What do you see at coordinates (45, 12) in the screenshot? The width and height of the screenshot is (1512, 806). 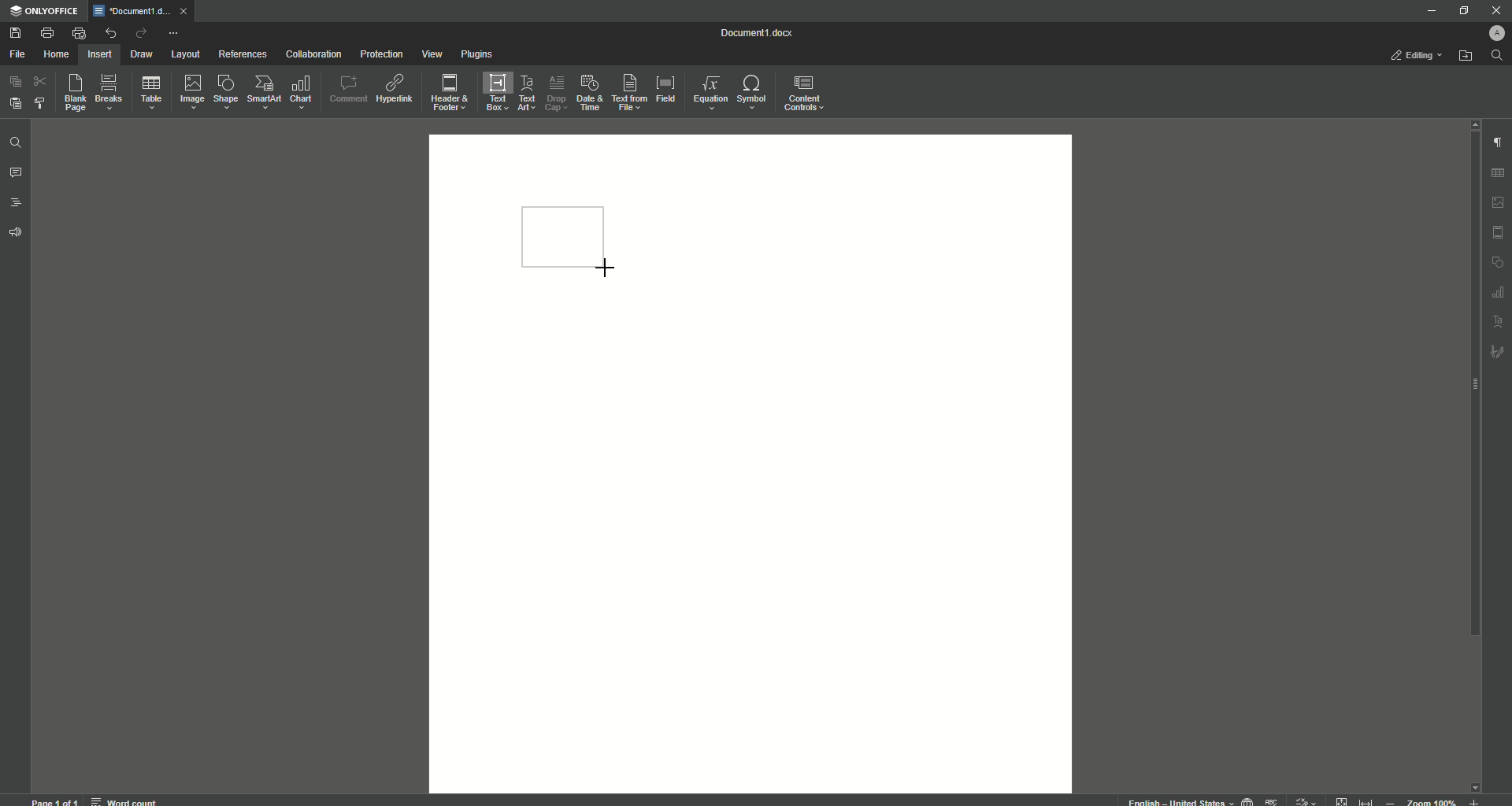 I see `ONLYOFFICE` at bounding box center [45, 12].